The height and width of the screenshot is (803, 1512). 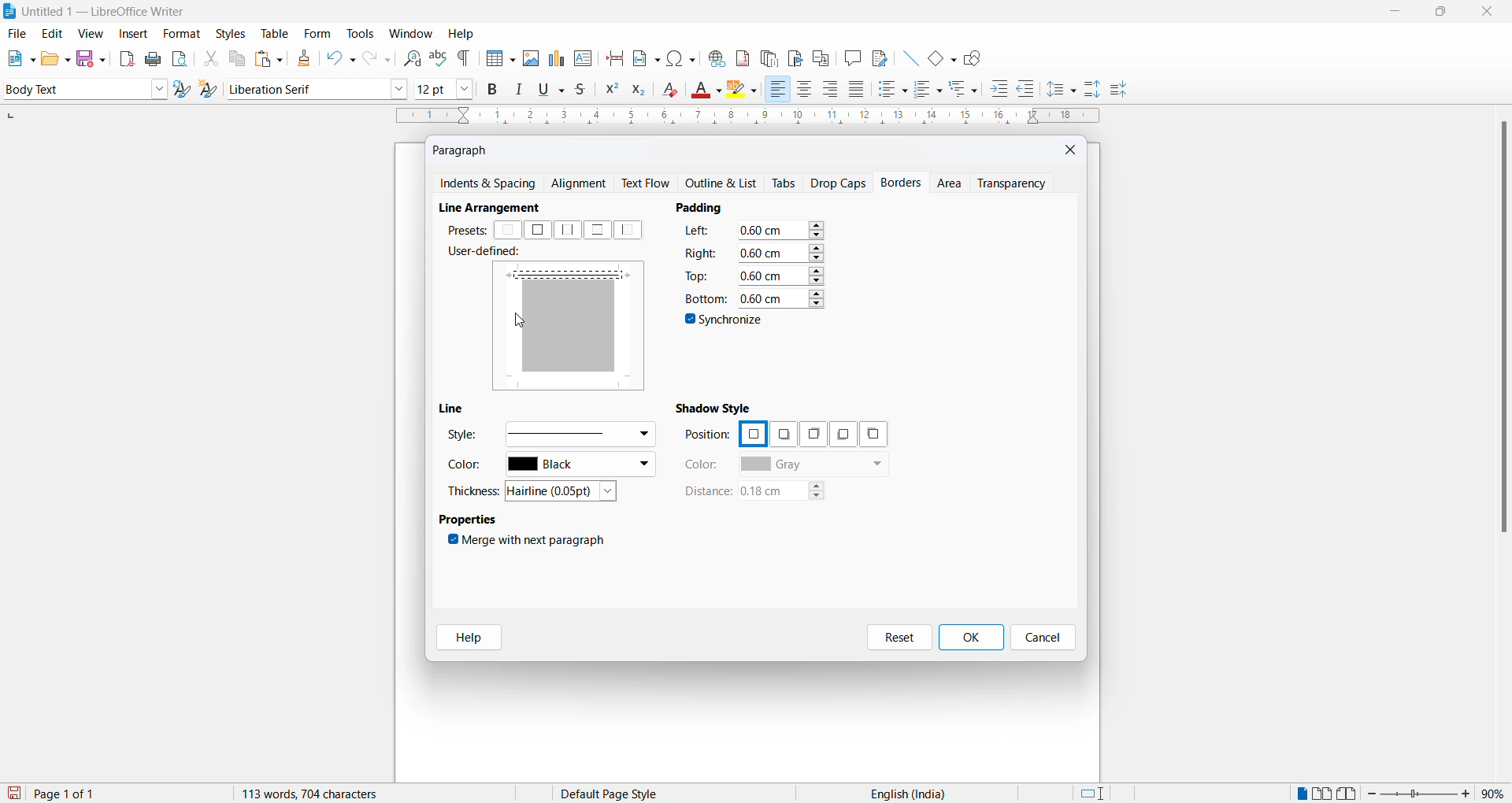 I want to click on character highlighting, so click(x=746, y=91).